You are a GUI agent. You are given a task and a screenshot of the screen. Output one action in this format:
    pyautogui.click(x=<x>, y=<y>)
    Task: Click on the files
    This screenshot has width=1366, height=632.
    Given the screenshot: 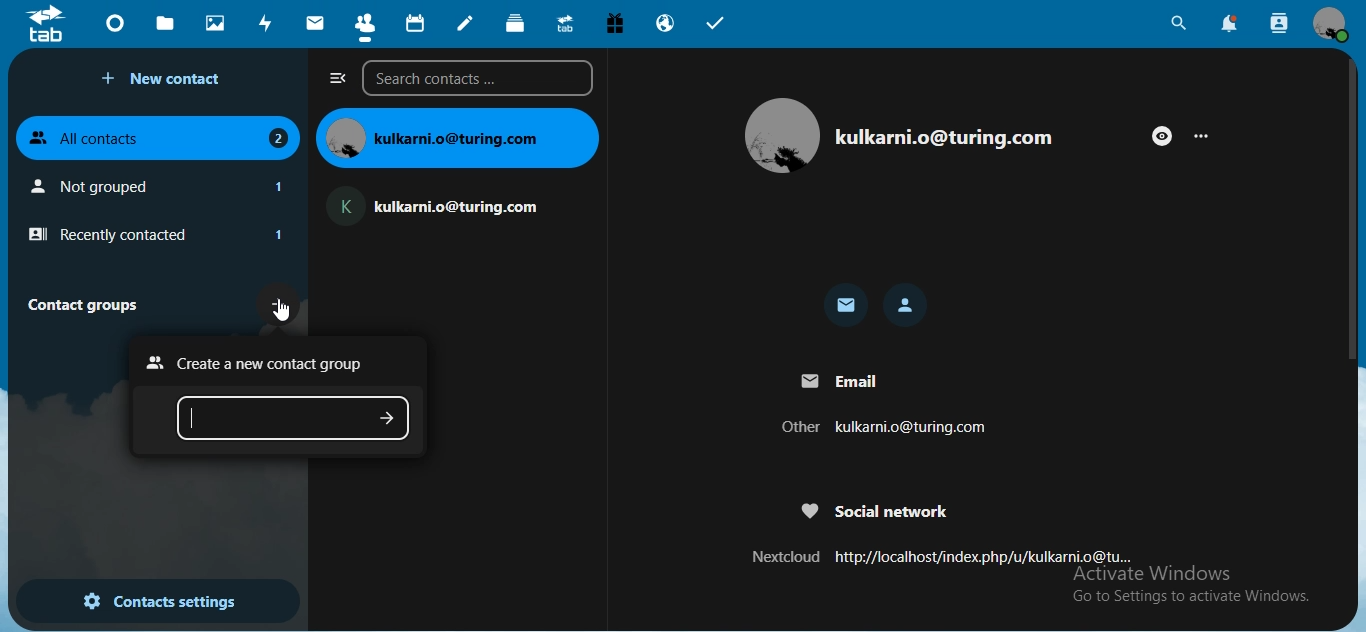 What is the action you would take?
    pyautogui.click(x=165, y=22)
    